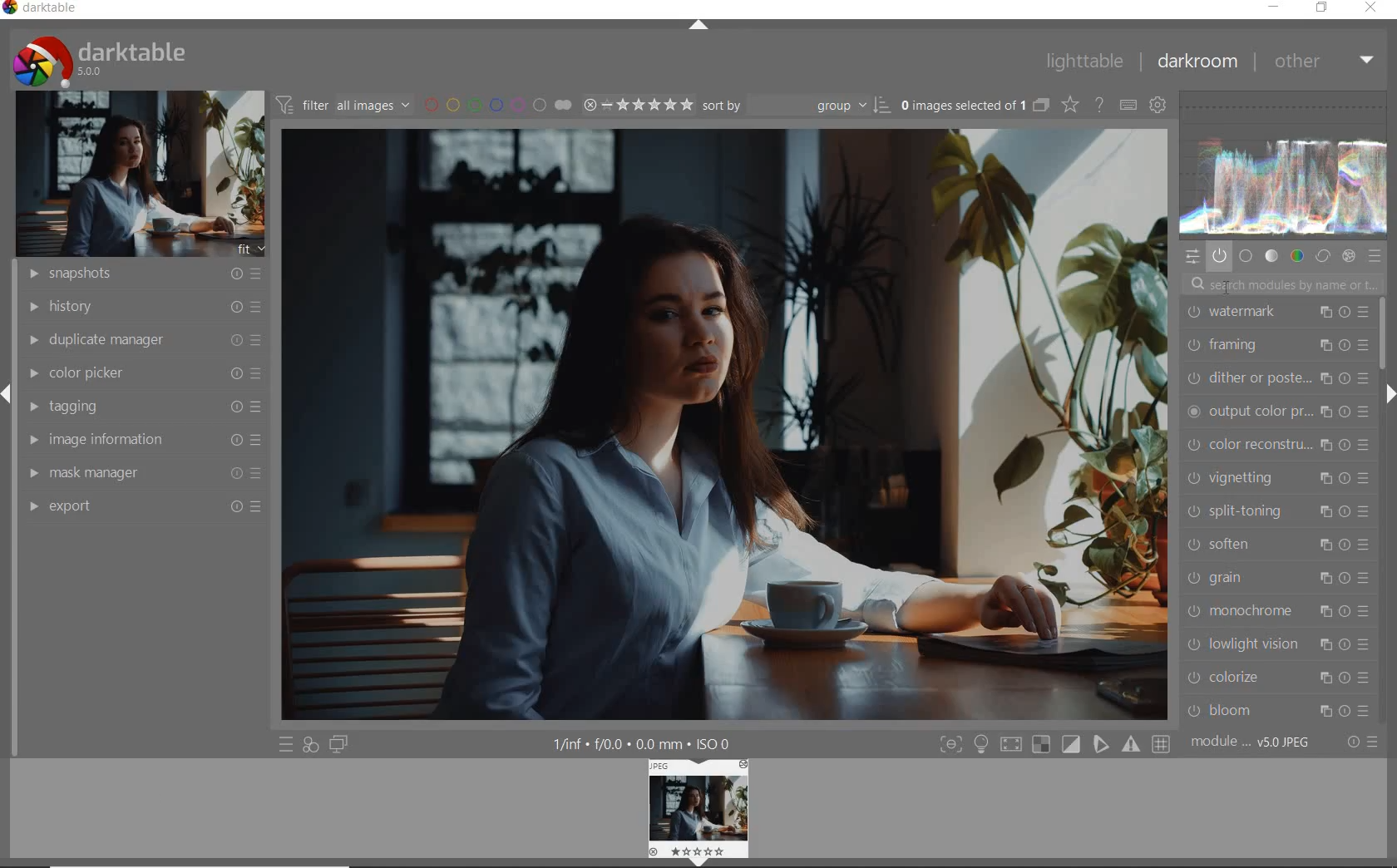  What do you see at coordinates (1276, 644) in the screenshot?
I see `lowlight vision` at bounding box center [1276, 644].